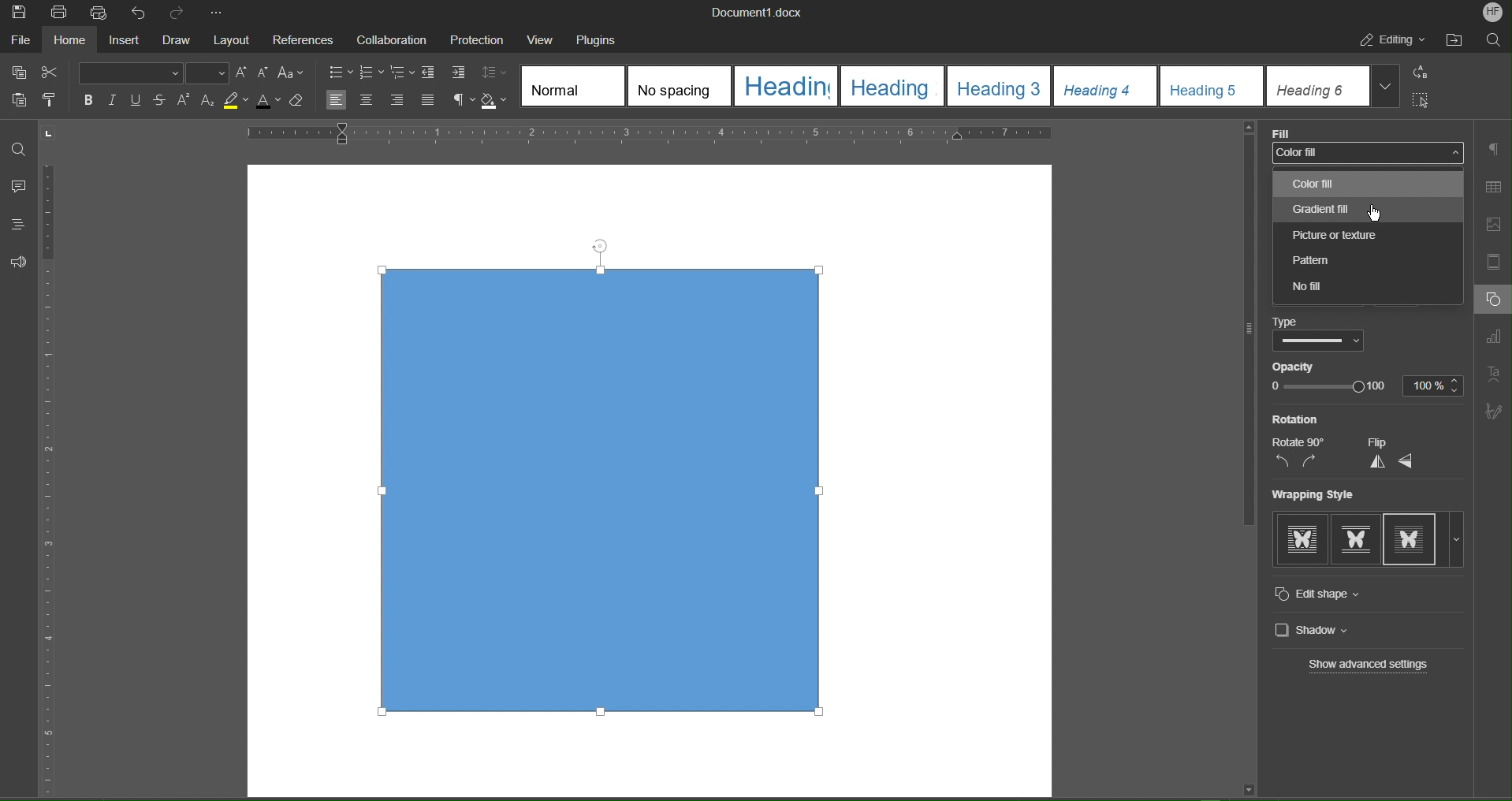  Describe the element at coordinates (1494, 412) in the screenshot. I see `Signature` at that location.